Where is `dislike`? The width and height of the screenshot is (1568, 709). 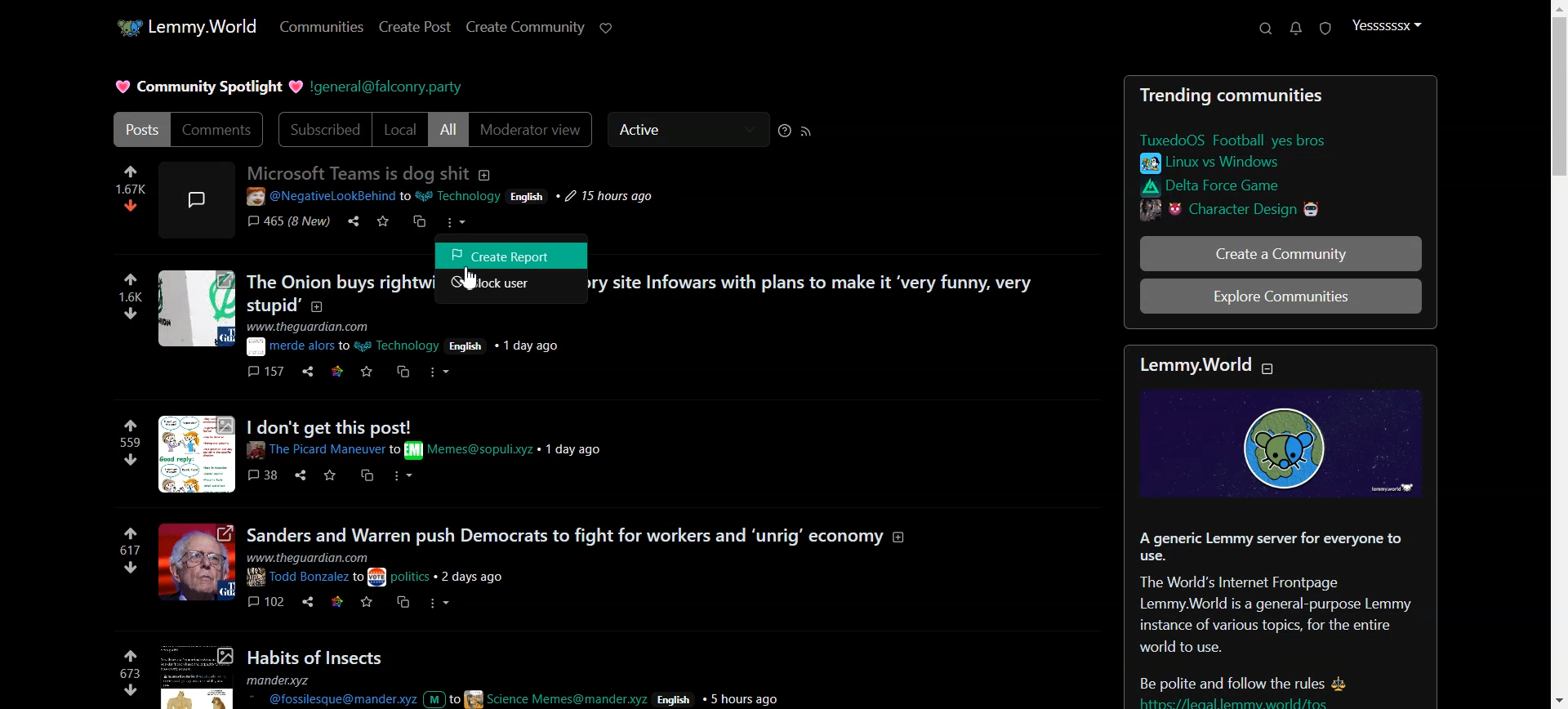 dislike is located at coordinates (134, 314).